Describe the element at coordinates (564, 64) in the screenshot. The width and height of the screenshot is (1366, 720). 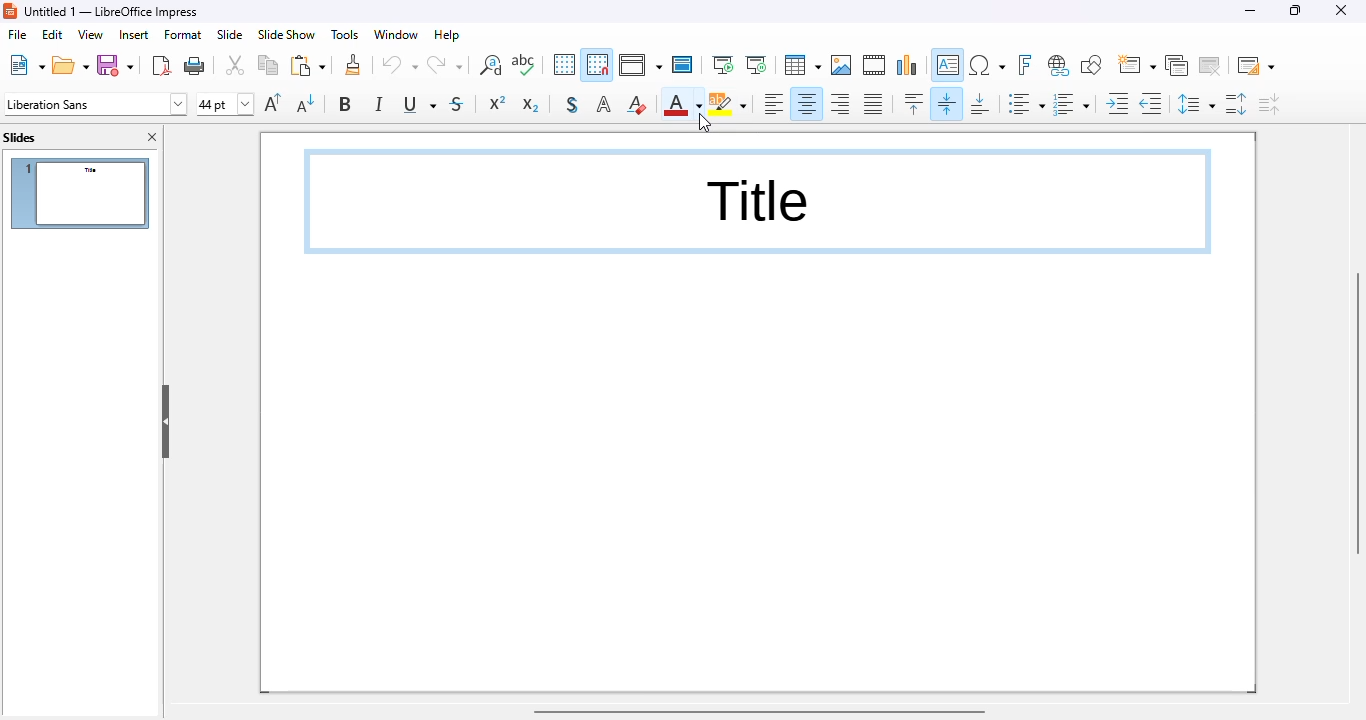
I see `display grid` at that location.